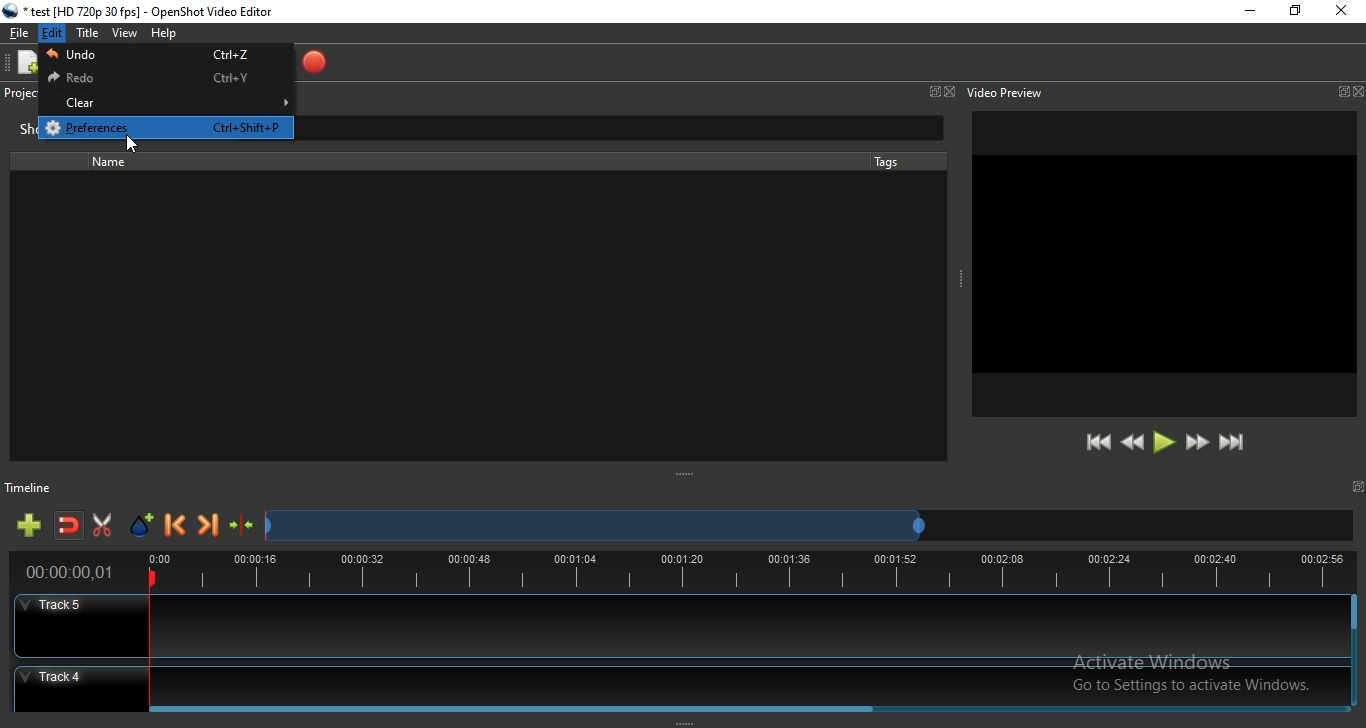  Describe the element at coordinates (143, 526) in the screenshot. I see `Add marker` at that location.